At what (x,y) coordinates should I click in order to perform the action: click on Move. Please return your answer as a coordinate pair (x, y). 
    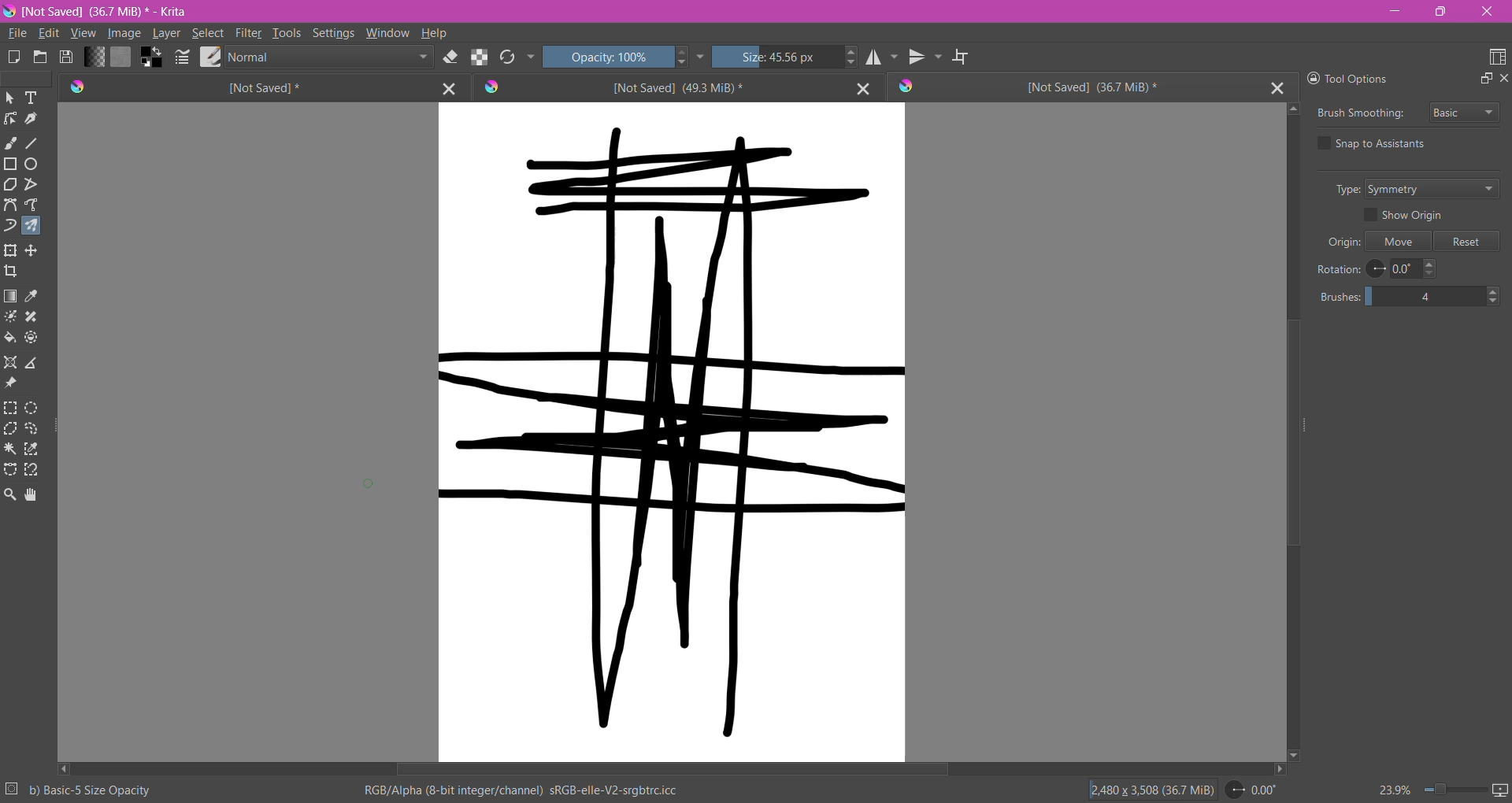
    Looking at the image, I should click on (1400, 243).